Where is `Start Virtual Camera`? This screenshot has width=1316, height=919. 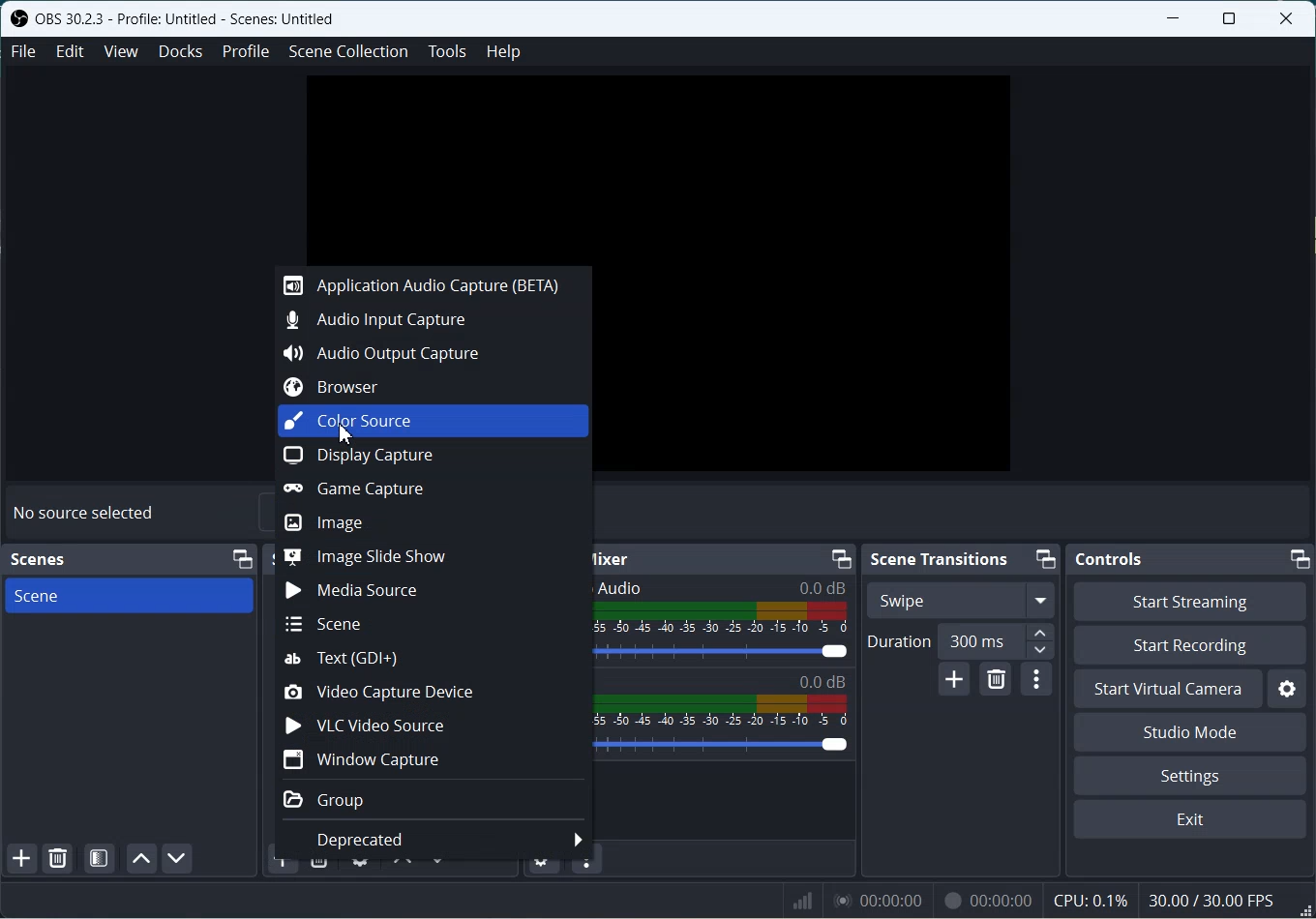
Start Virtual Camera is located at coordinates (1167, 690).